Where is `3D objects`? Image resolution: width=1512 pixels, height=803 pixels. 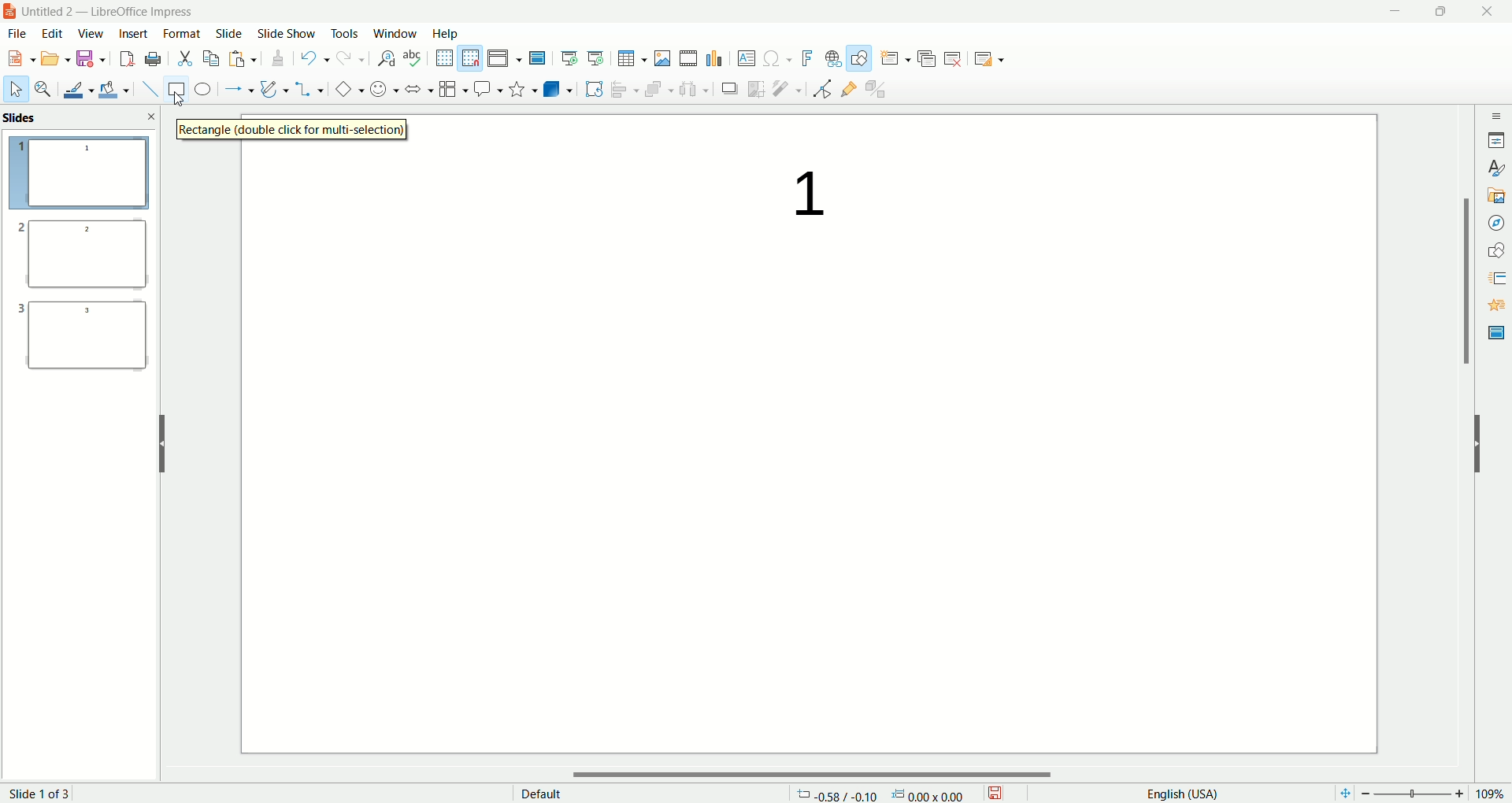
3D objects is located at coordinates (558, 89).